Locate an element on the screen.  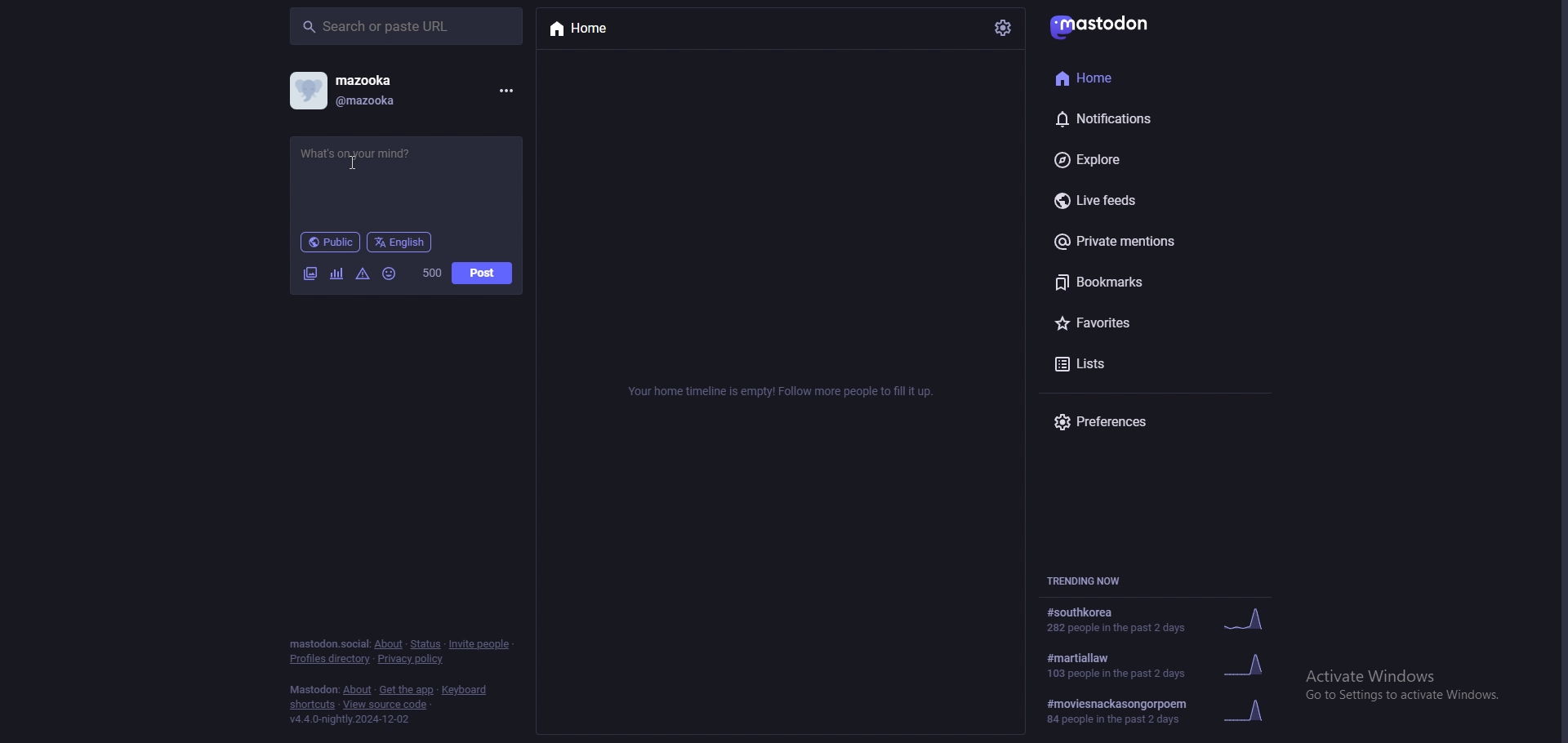
home is located at coordinates (625, 29).